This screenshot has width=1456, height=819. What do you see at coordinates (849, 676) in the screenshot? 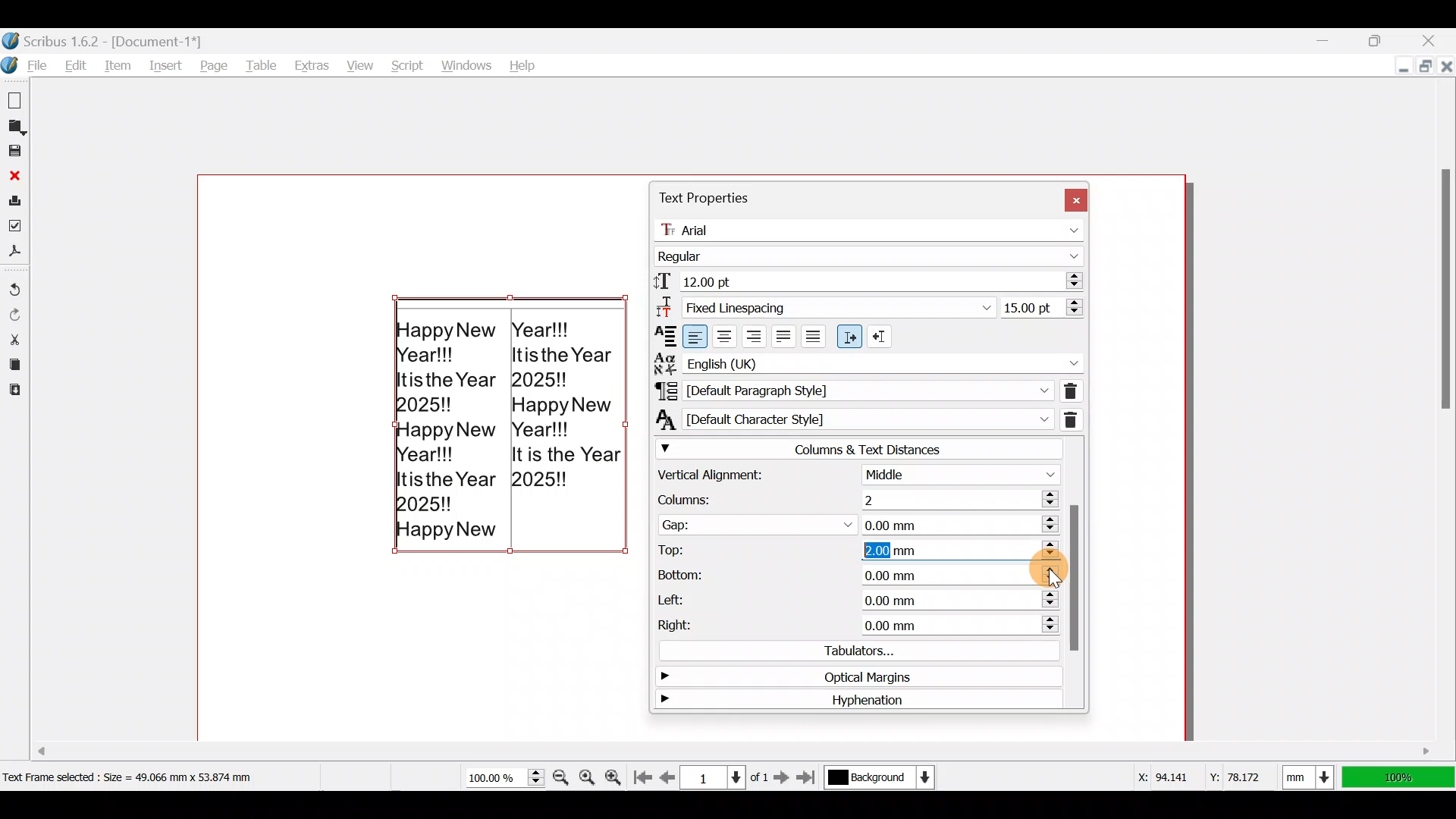
I see `Optical margins` at bounding box center [849, 676].